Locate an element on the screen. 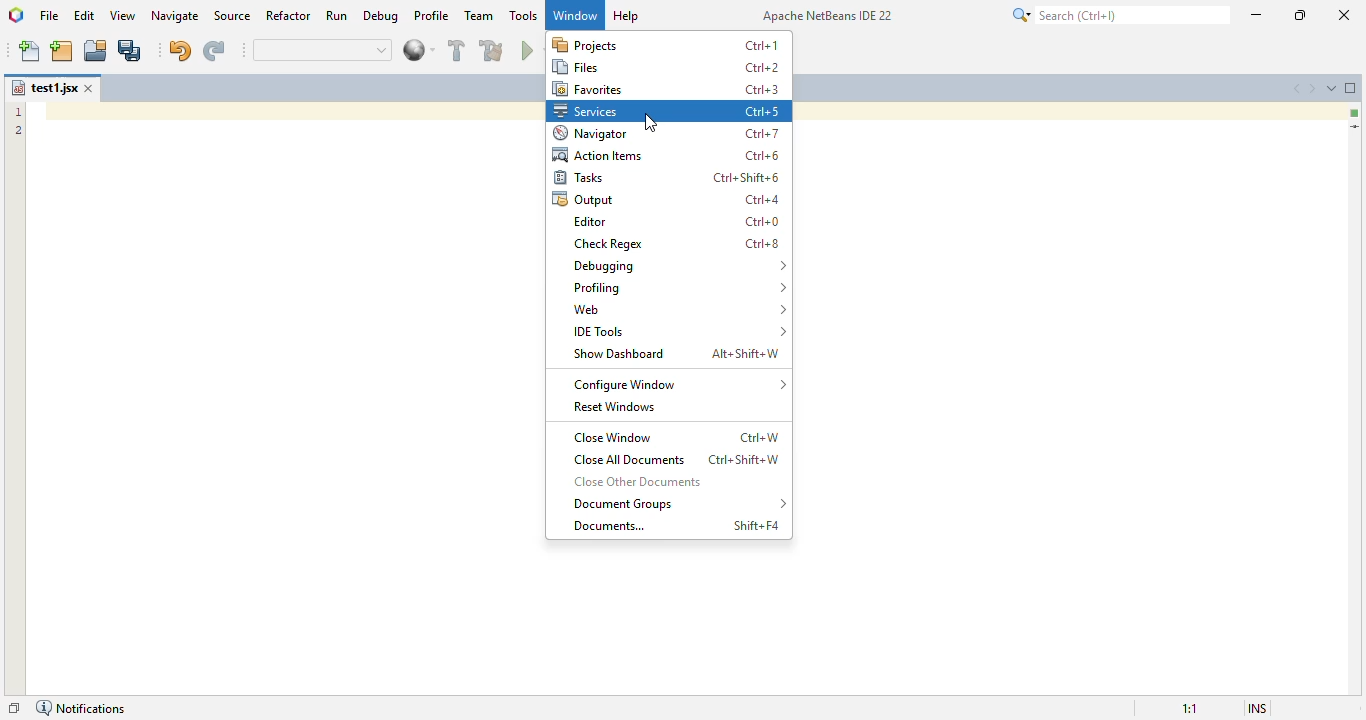 This screenshot has height=720, width=1366. current line is located at coordinates (1354, 128).